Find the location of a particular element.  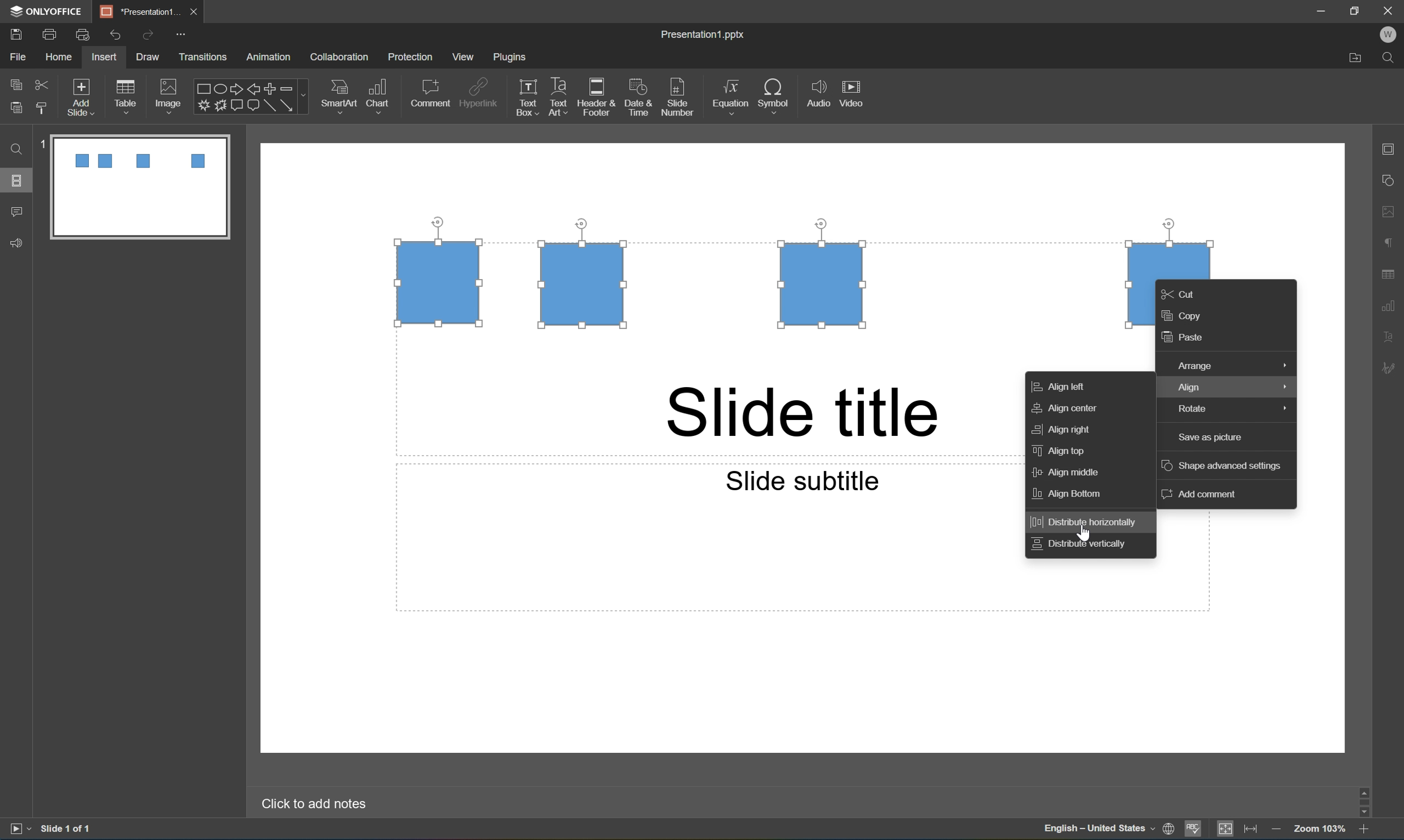

zoom 100% is located at coordinates (1321, 830).